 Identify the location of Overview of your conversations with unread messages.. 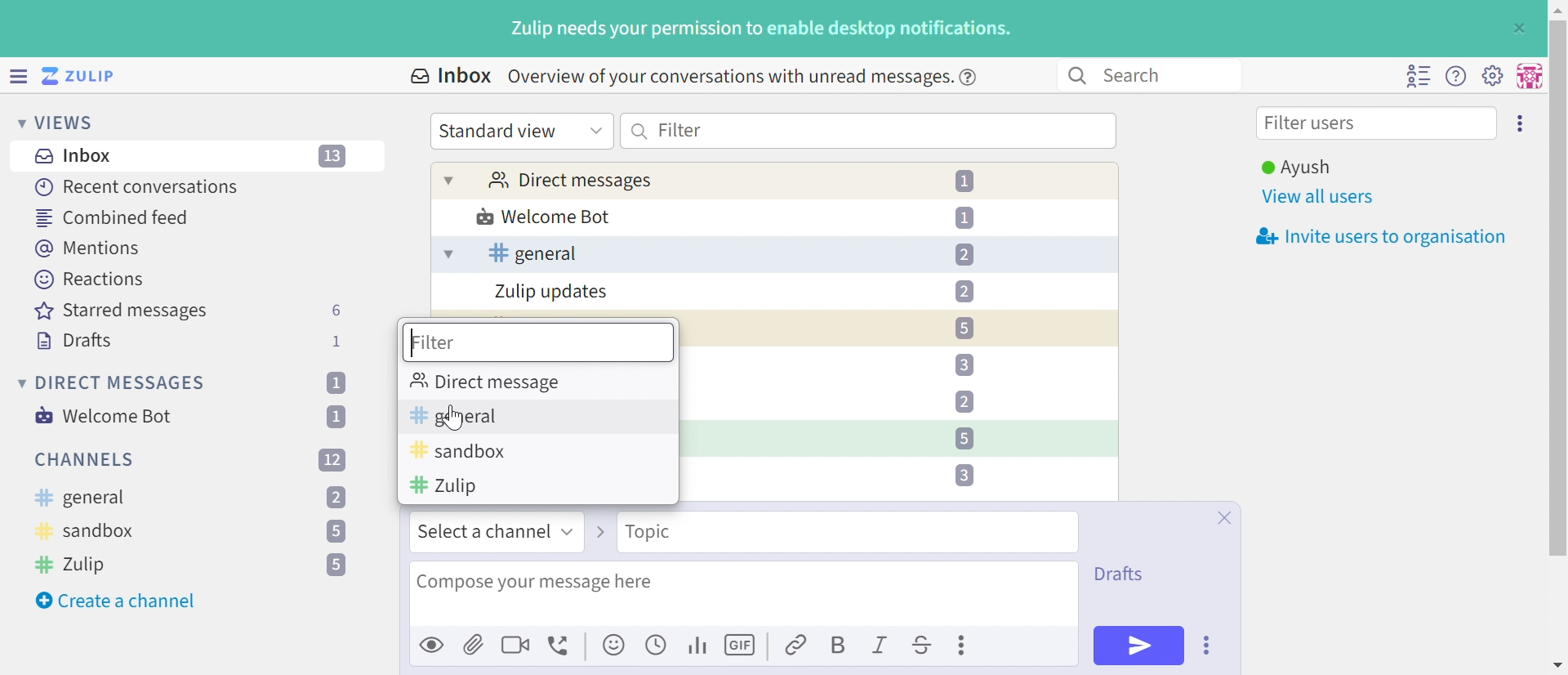
(727, 76).